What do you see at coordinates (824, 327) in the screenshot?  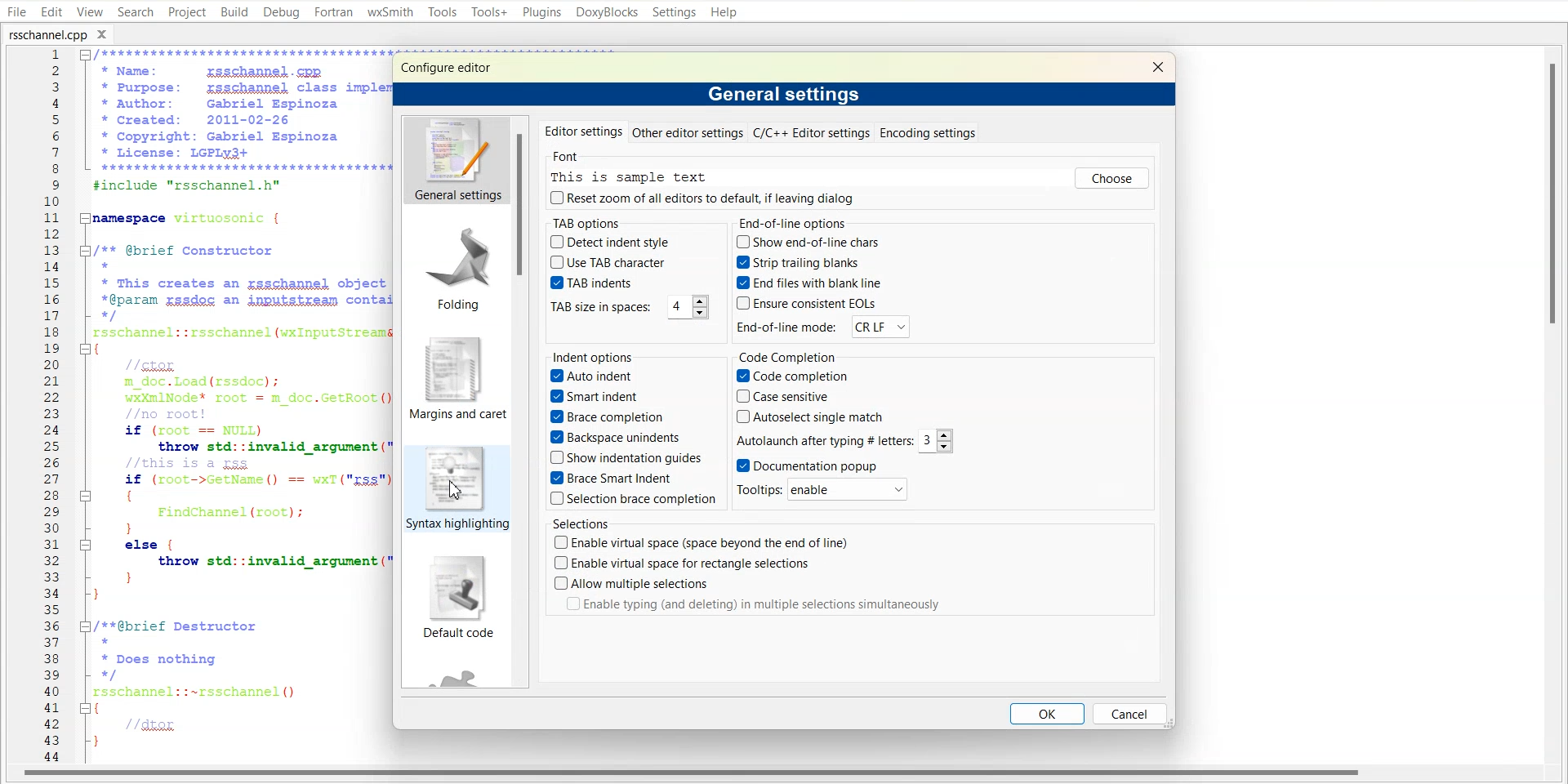 I see `End-of-line mode ` at bounding box center [824, 327].